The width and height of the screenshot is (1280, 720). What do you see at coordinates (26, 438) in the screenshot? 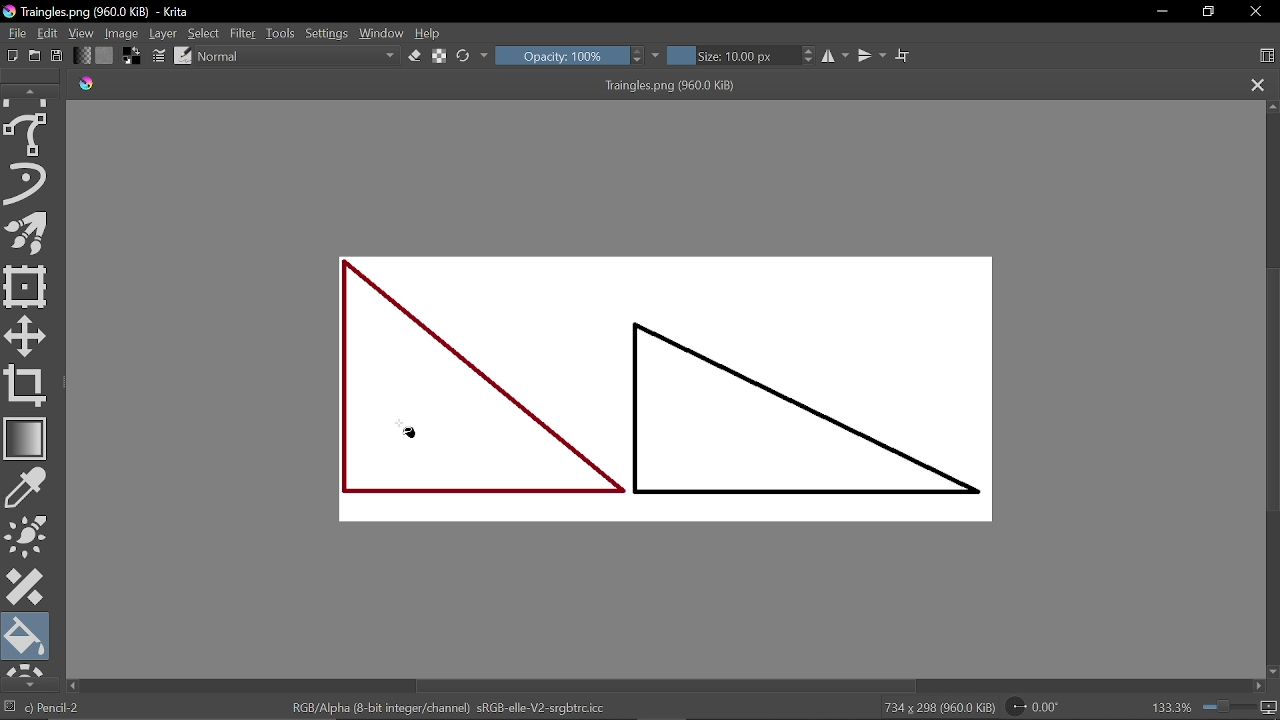
I see `Gradient` at bounding box center [26, 438].